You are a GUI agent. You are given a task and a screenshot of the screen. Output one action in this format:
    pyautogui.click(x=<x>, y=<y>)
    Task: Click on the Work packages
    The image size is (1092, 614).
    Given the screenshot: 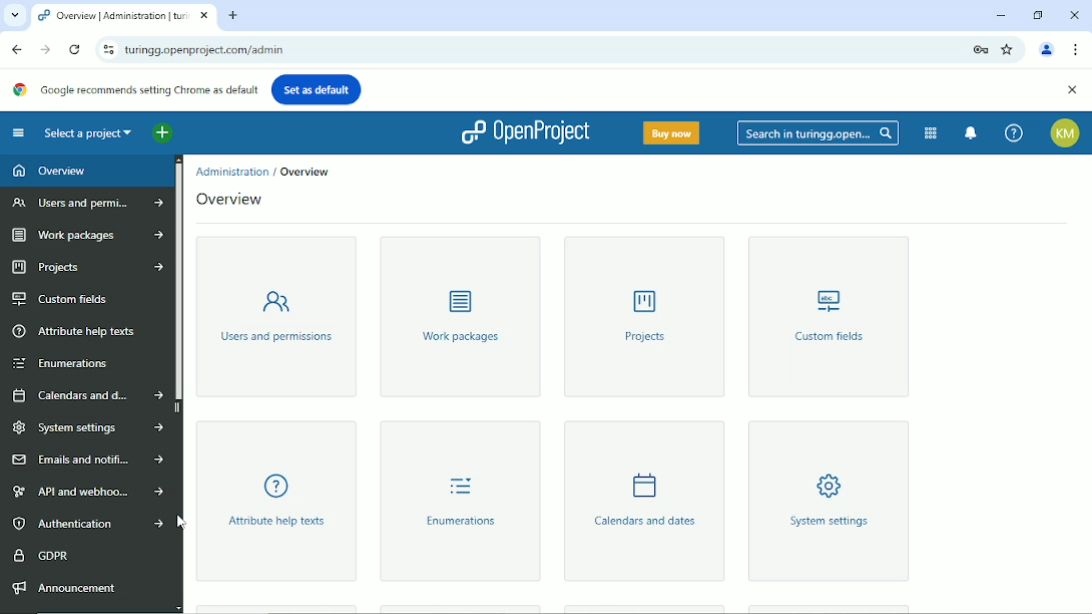 What is the action you would take?
    pyautogui.click(x=83, y=235)
    